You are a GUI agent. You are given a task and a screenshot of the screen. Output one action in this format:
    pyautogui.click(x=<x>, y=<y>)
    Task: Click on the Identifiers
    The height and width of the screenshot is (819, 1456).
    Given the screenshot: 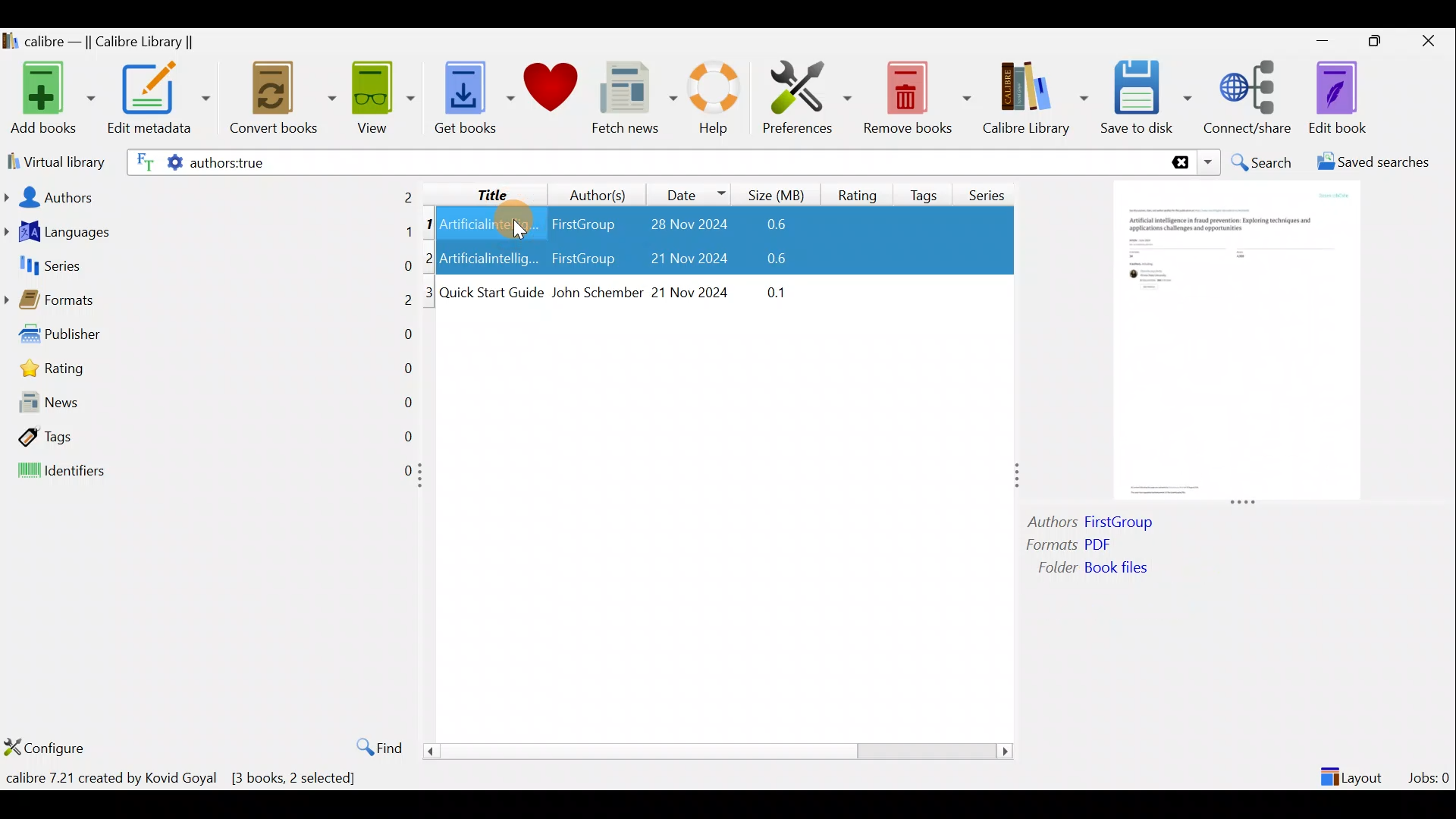 What is the action you would take?
    pyautogui.click(x=206, y=472)
    